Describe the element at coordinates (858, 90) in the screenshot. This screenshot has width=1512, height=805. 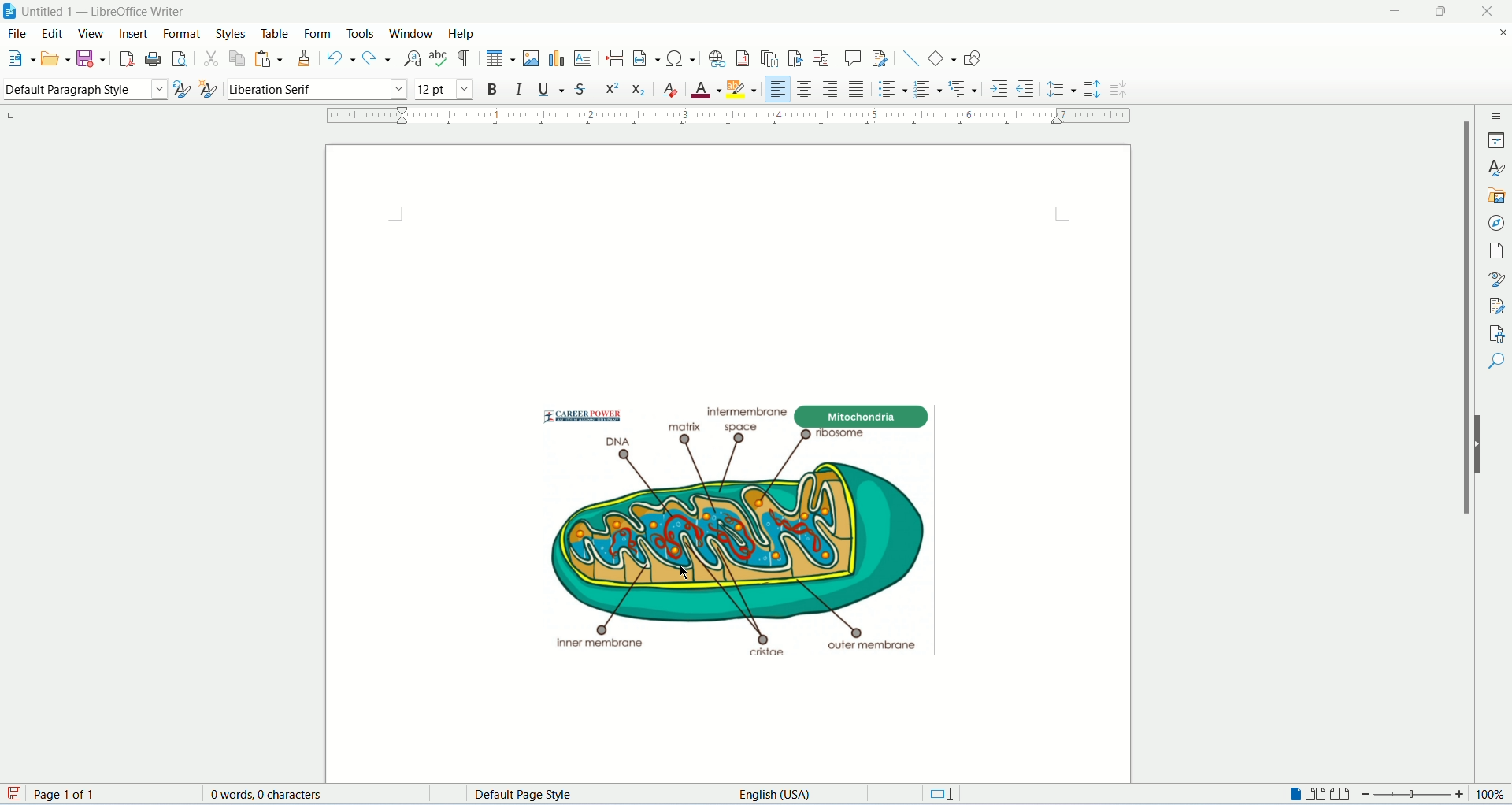
I see `justified` at that location.